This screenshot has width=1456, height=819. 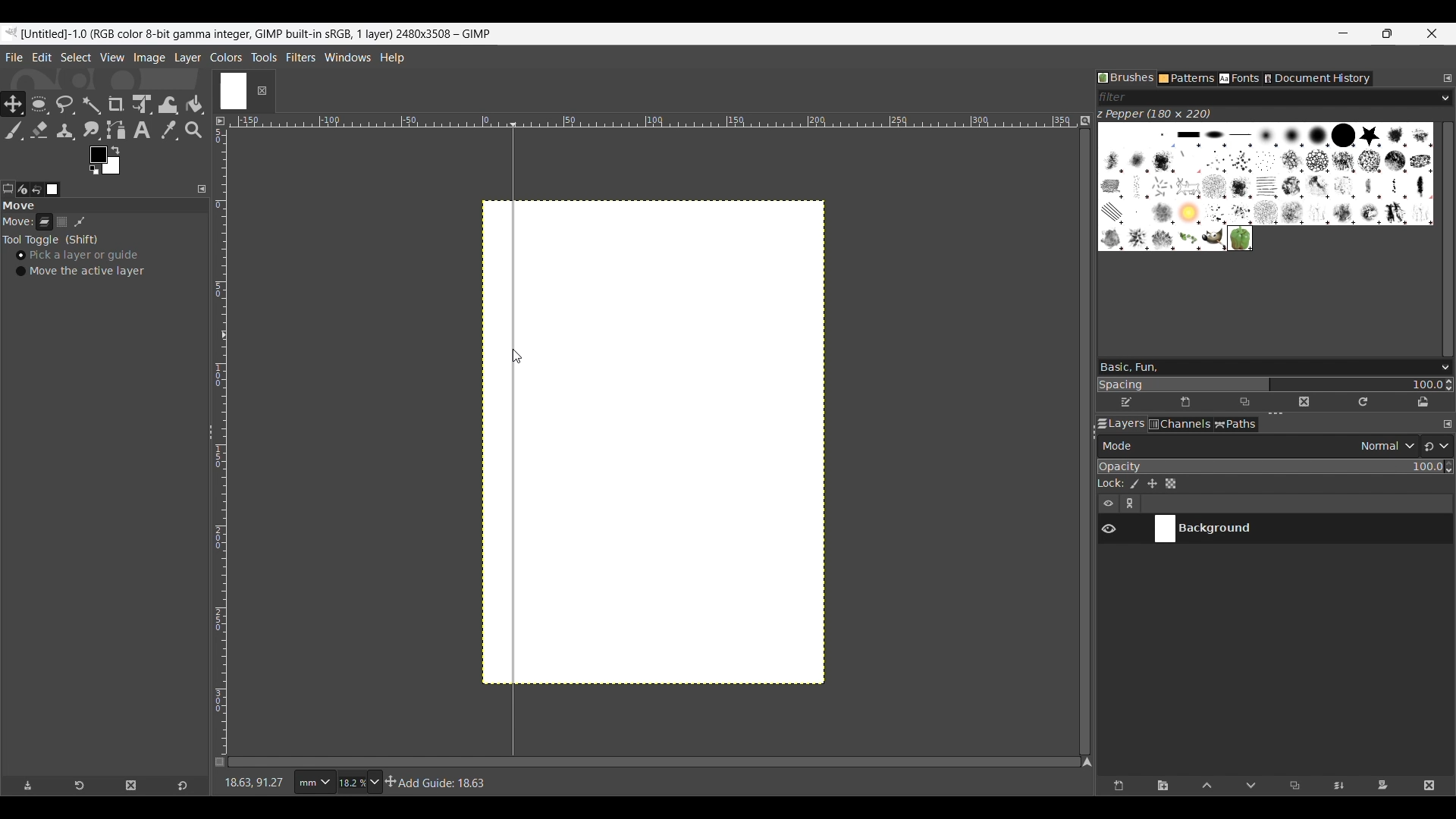 What do you see at coordinates (1118, 425) in the screenshot?
I see `Layers tab, current selection` at bounding box center [1118, 425].